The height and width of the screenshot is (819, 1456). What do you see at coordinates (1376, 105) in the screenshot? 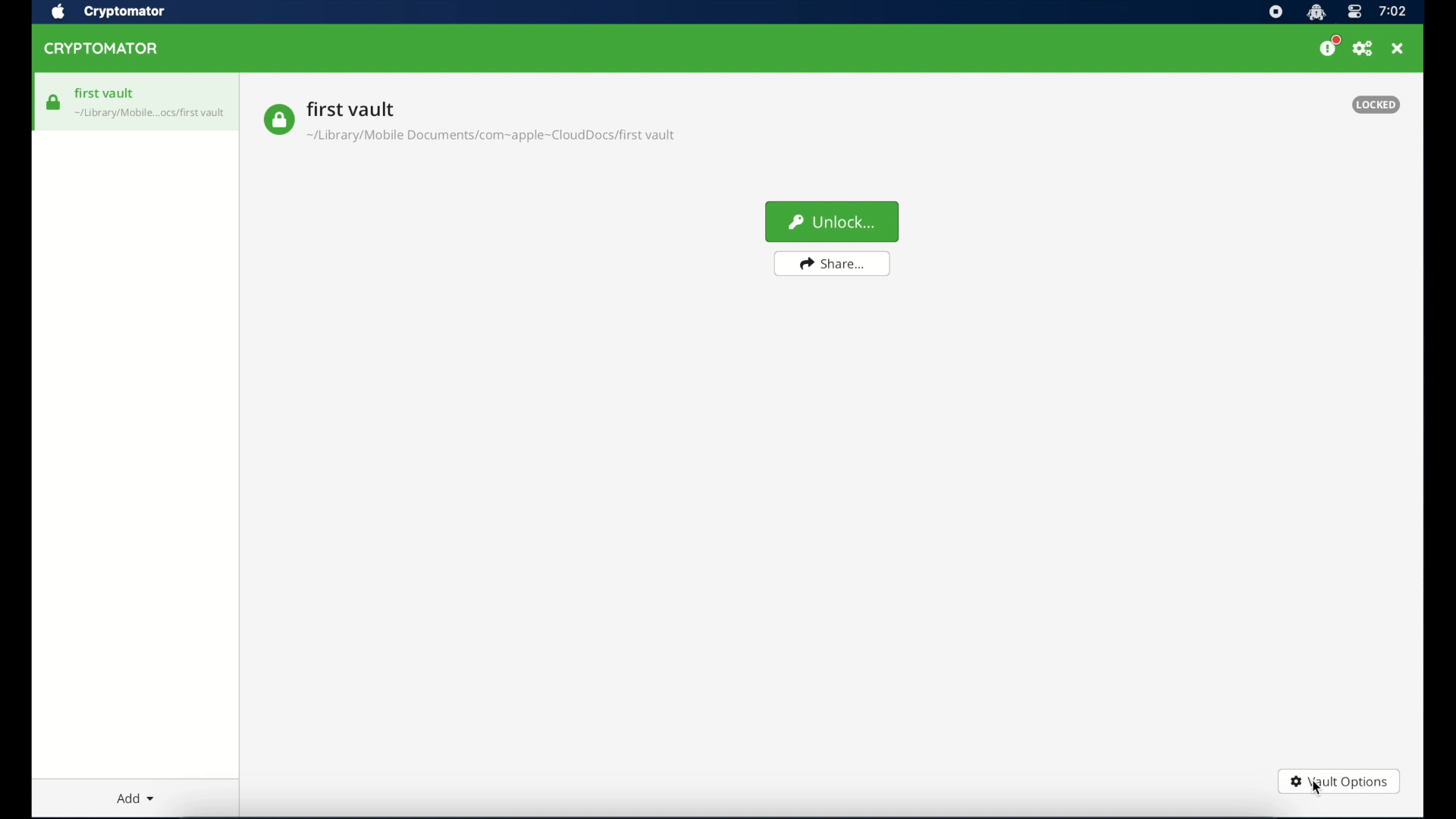
I see `locked` at bounding box center [1376, 105].